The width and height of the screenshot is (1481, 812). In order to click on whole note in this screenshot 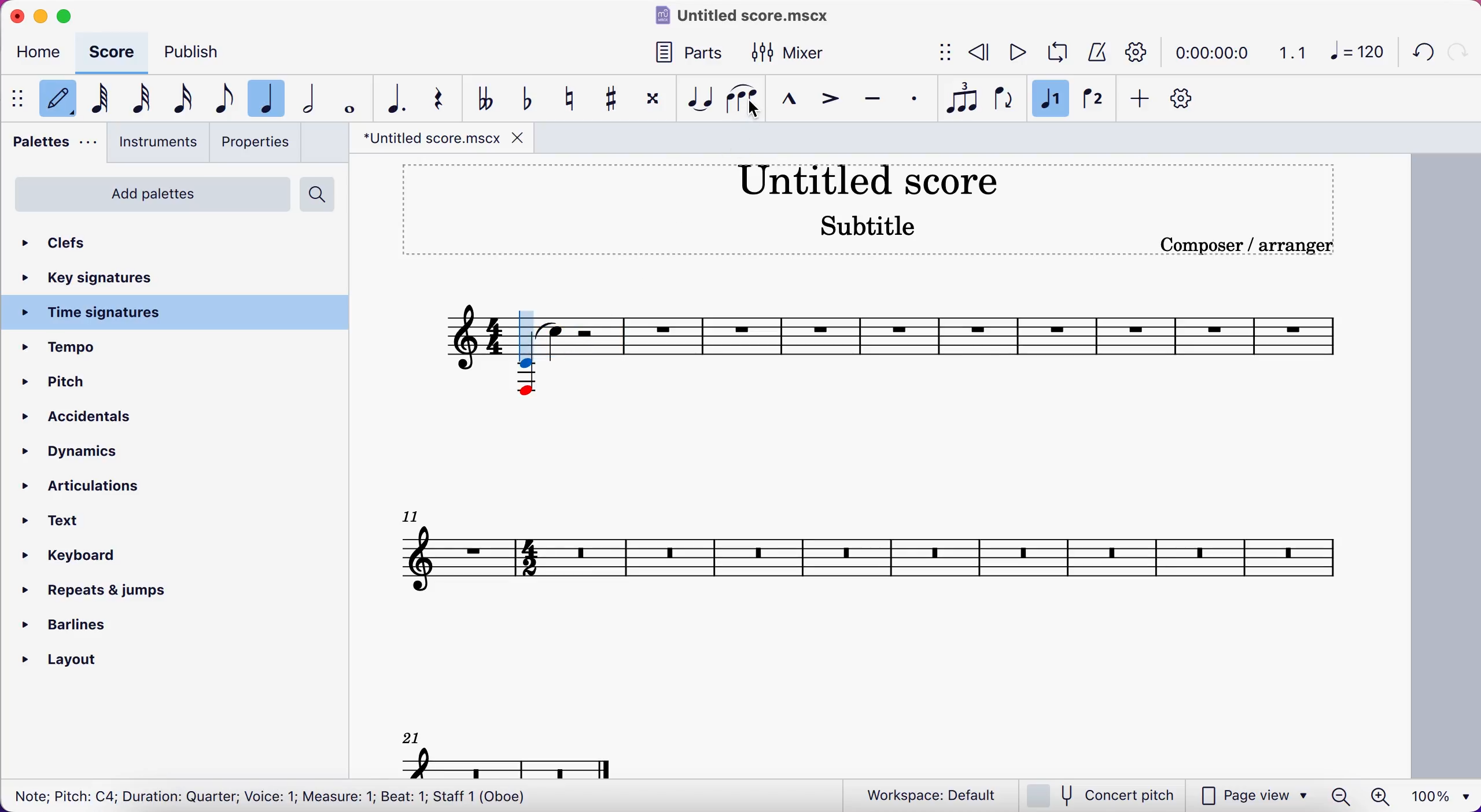, I will do `click(351, 98)`.